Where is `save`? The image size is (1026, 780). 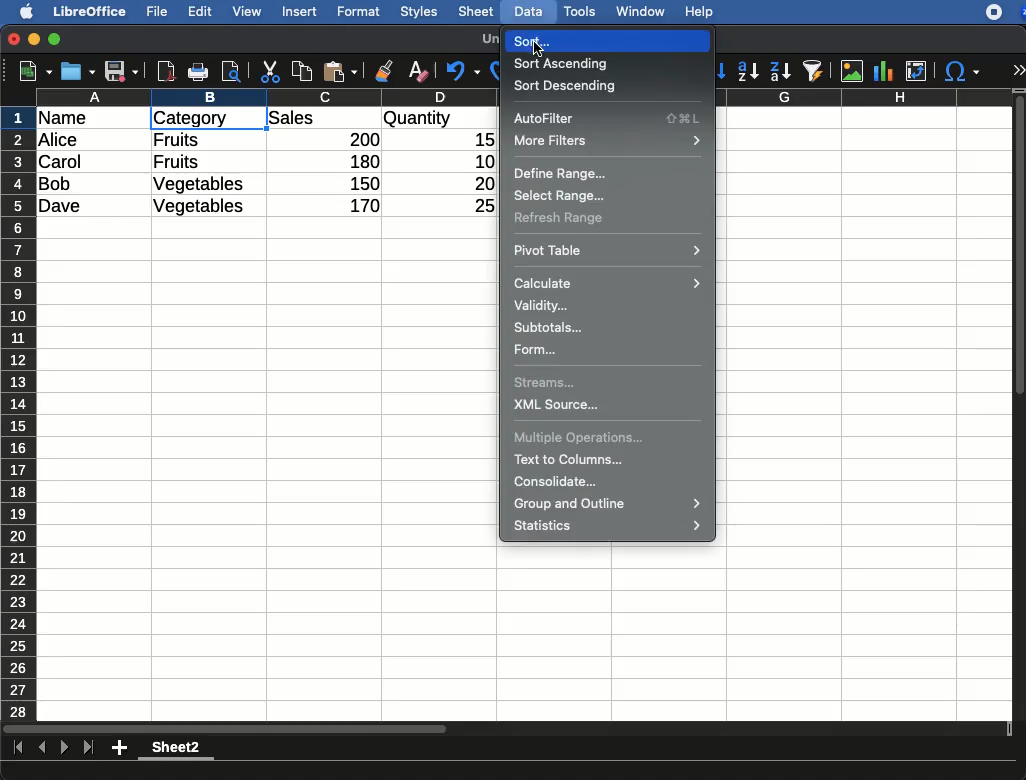 save is located at coordinates (79, 71).